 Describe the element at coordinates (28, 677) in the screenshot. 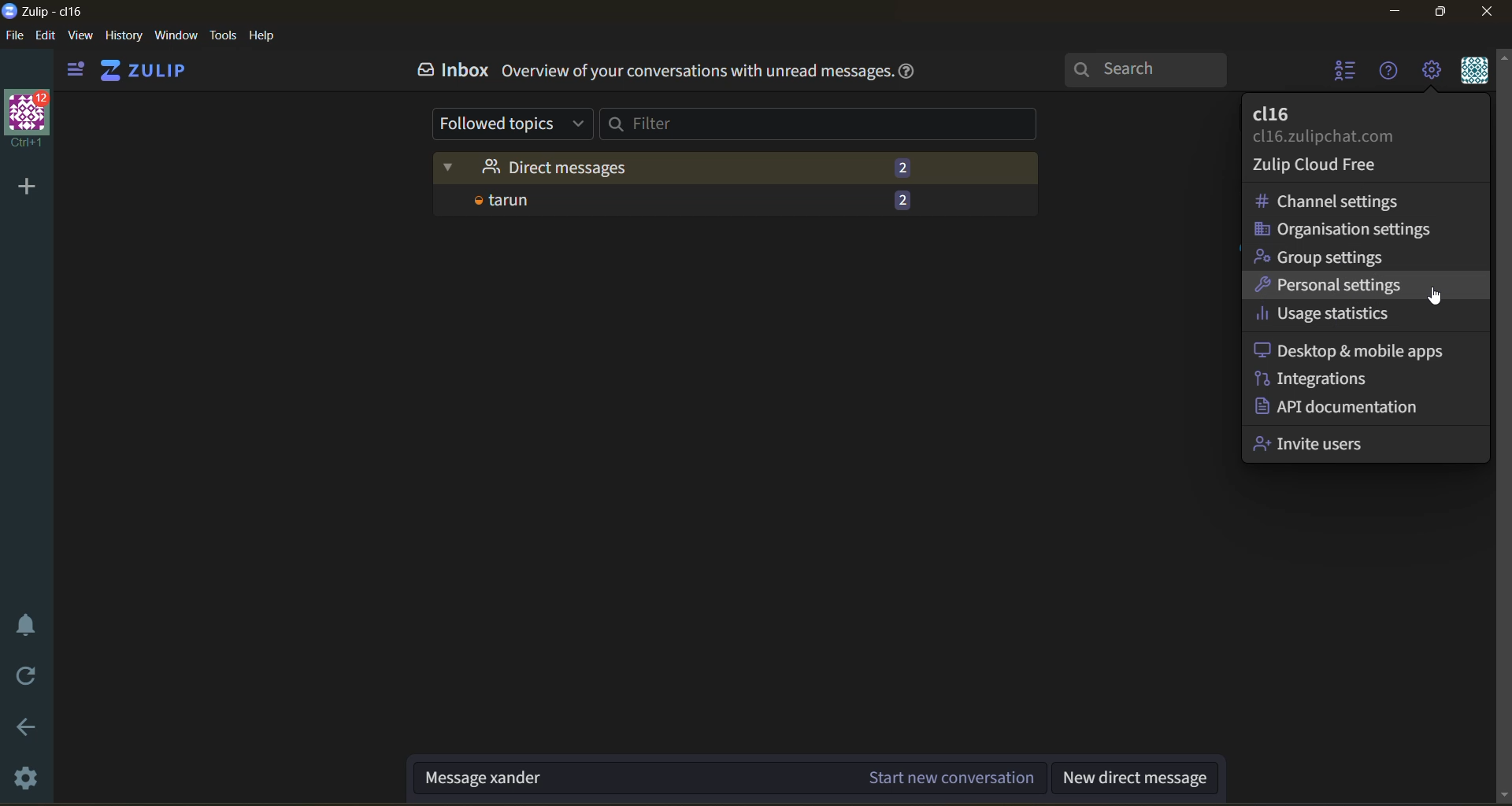

I see `reload` at that location.